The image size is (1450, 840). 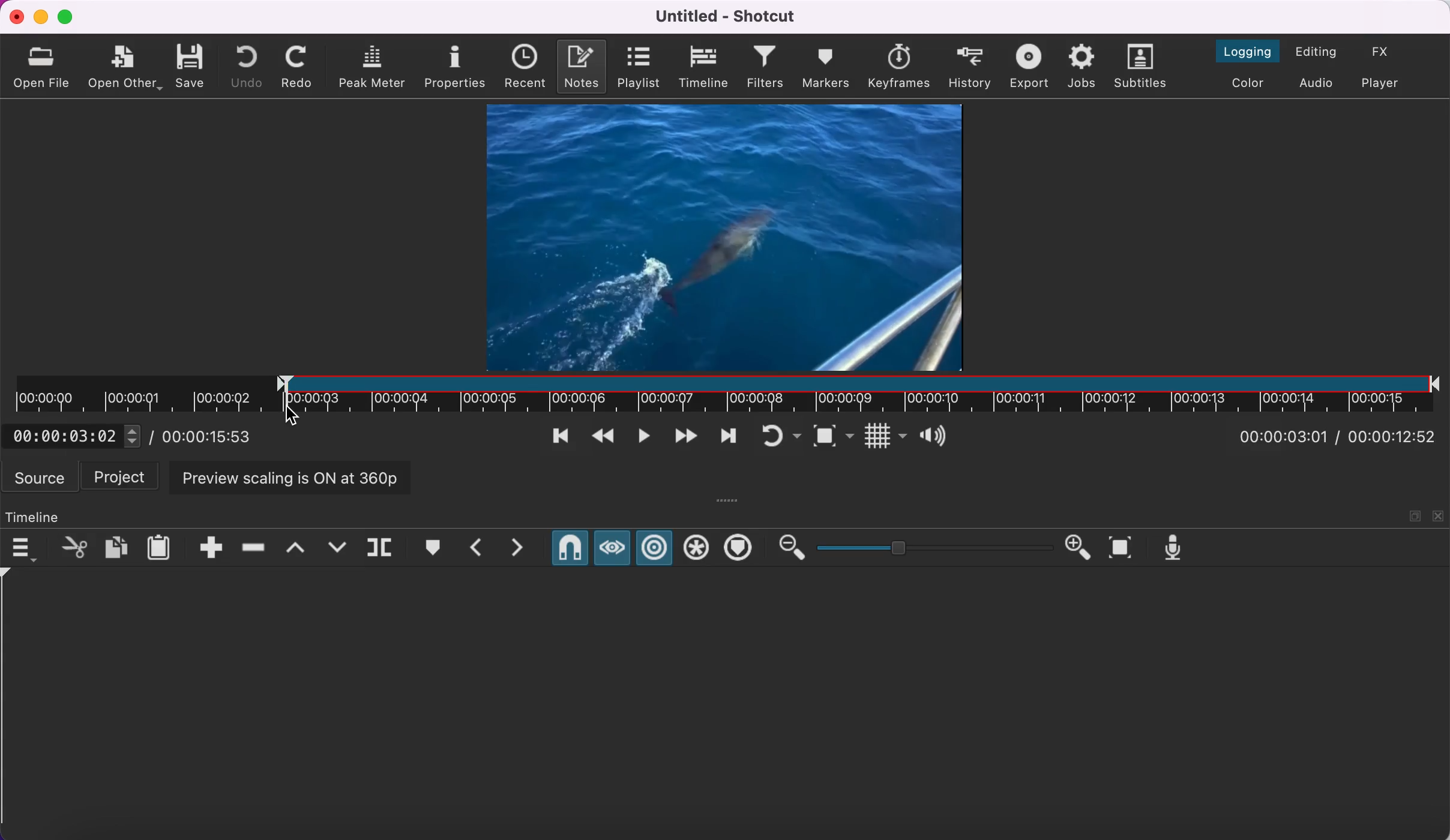 What do you see at coordinates (71, 545) in the screenshot?
I see `cut` at bounding box center [71, 545].